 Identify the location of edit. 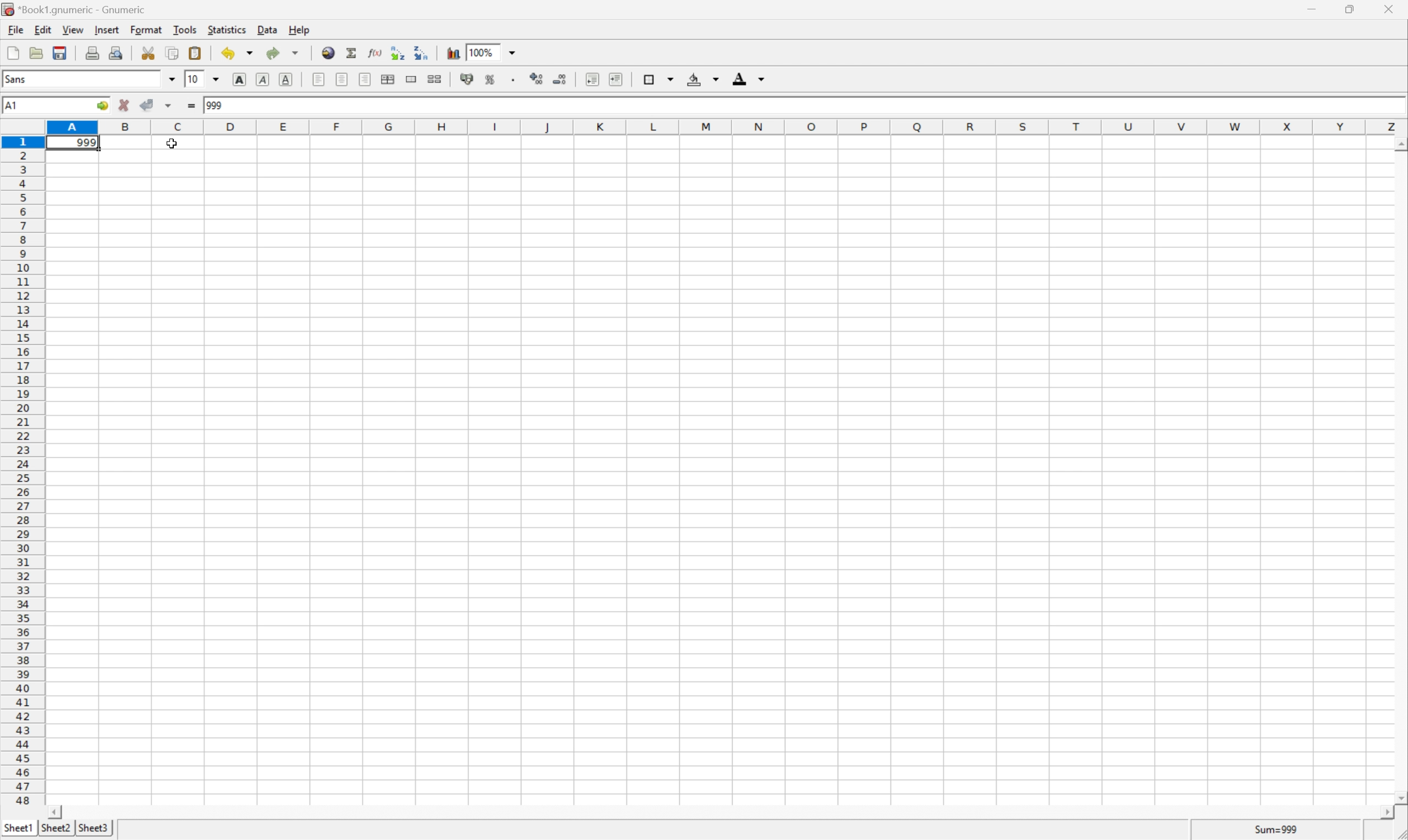
(44, 30).